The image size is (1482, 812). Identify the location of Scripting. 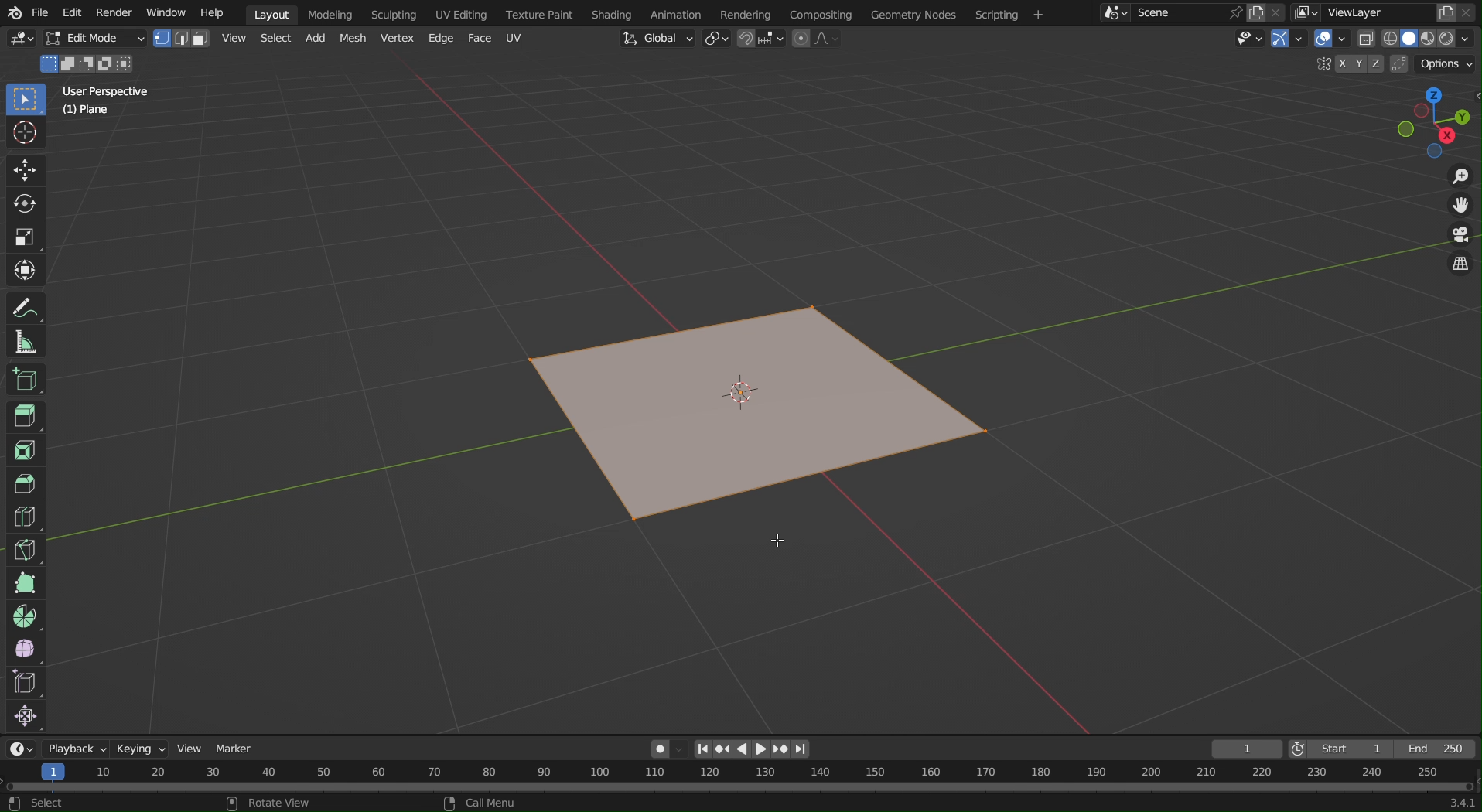
(1008, 13).